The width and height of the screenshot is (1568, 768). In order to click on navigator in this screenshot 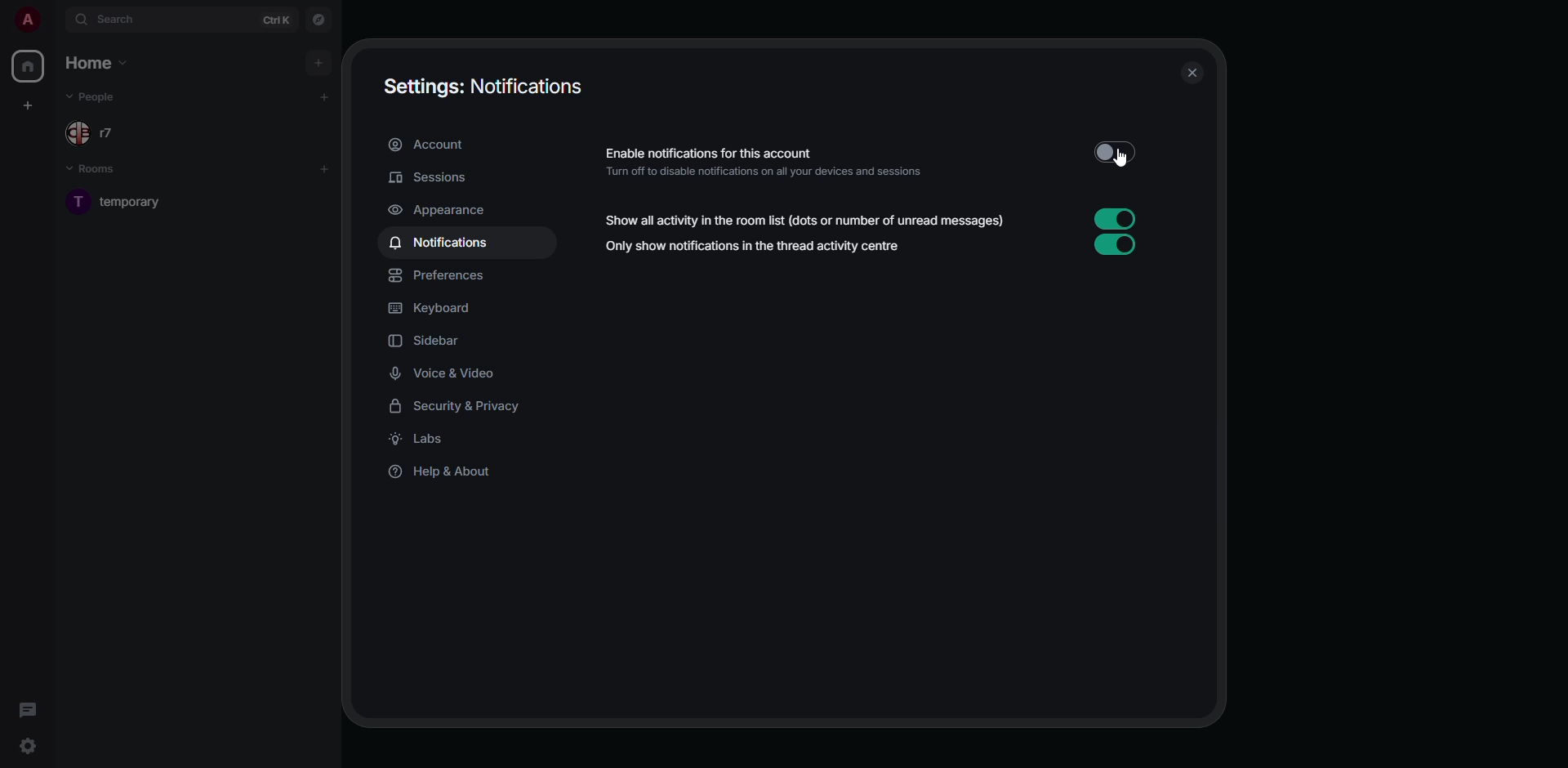, I will do `click(318, 21)`.